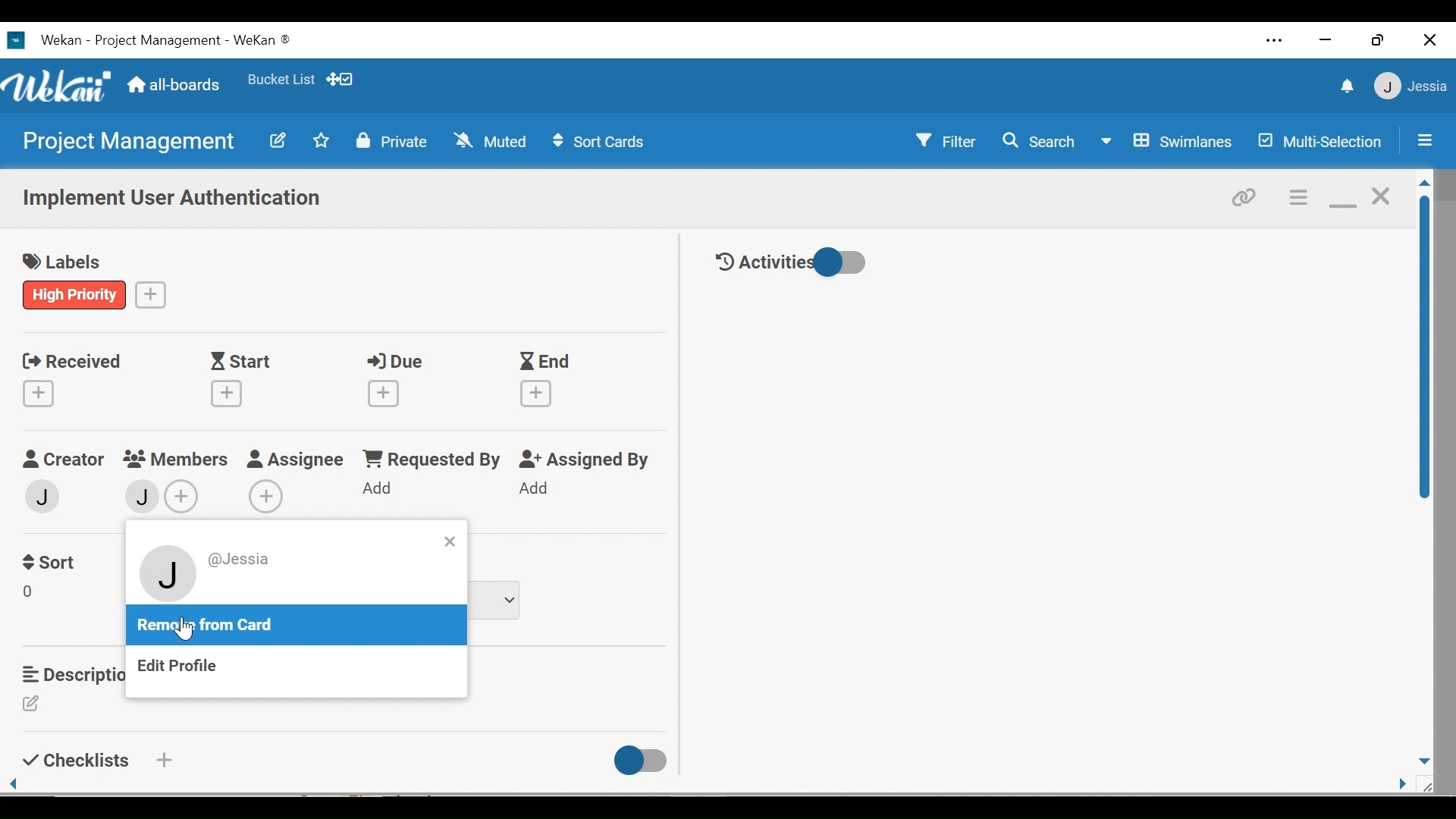 The image size is (1456, 819). Describe the element at coordinates (31, 704) in the screenshot. I see `edit` at that location.